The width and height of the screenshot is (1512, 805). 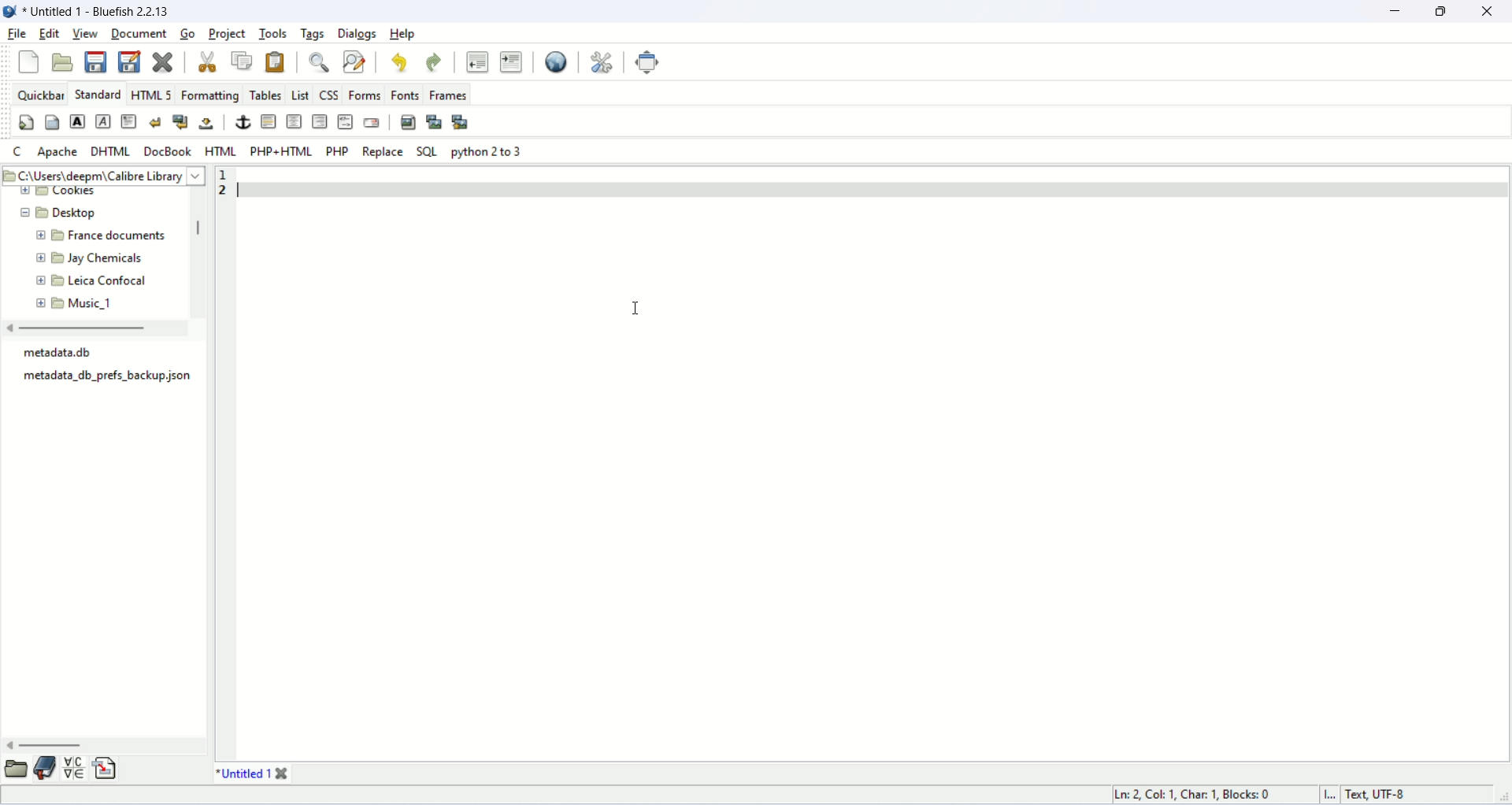 What do you see at coordinates (52, 213) in the screenshot?
I see `folder name` at bounding box center [52, 213].